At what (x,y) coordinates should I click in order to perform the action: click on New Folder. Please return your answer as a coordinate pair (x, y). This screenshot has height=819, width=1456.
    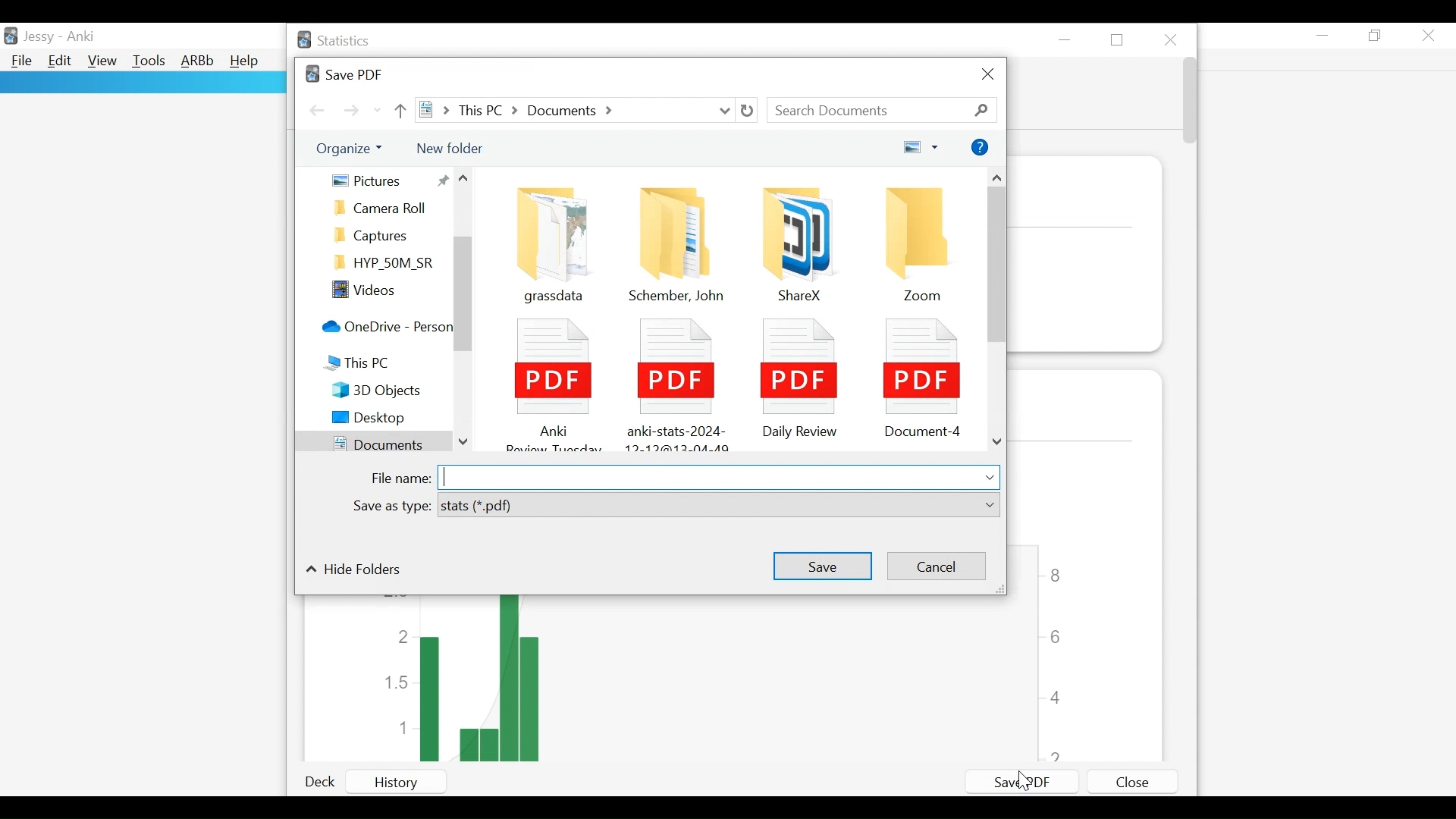
    Looking at the image, I should click on (449, 147).